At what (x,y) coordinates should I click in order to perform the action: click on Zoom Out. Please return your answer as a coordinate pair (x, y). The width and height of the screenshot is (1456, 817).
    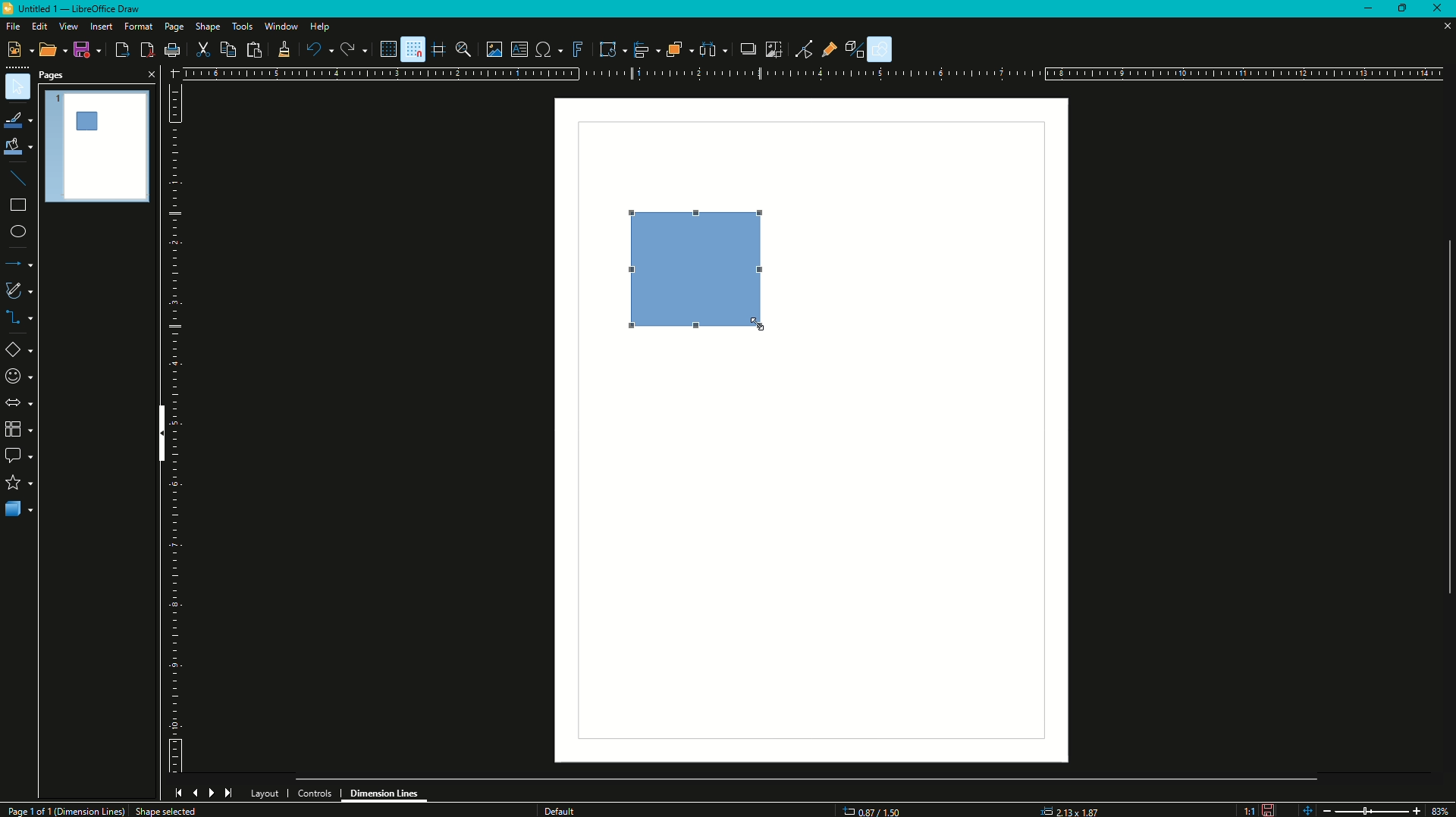
    Looking at the image, I should click on (1324, 809).